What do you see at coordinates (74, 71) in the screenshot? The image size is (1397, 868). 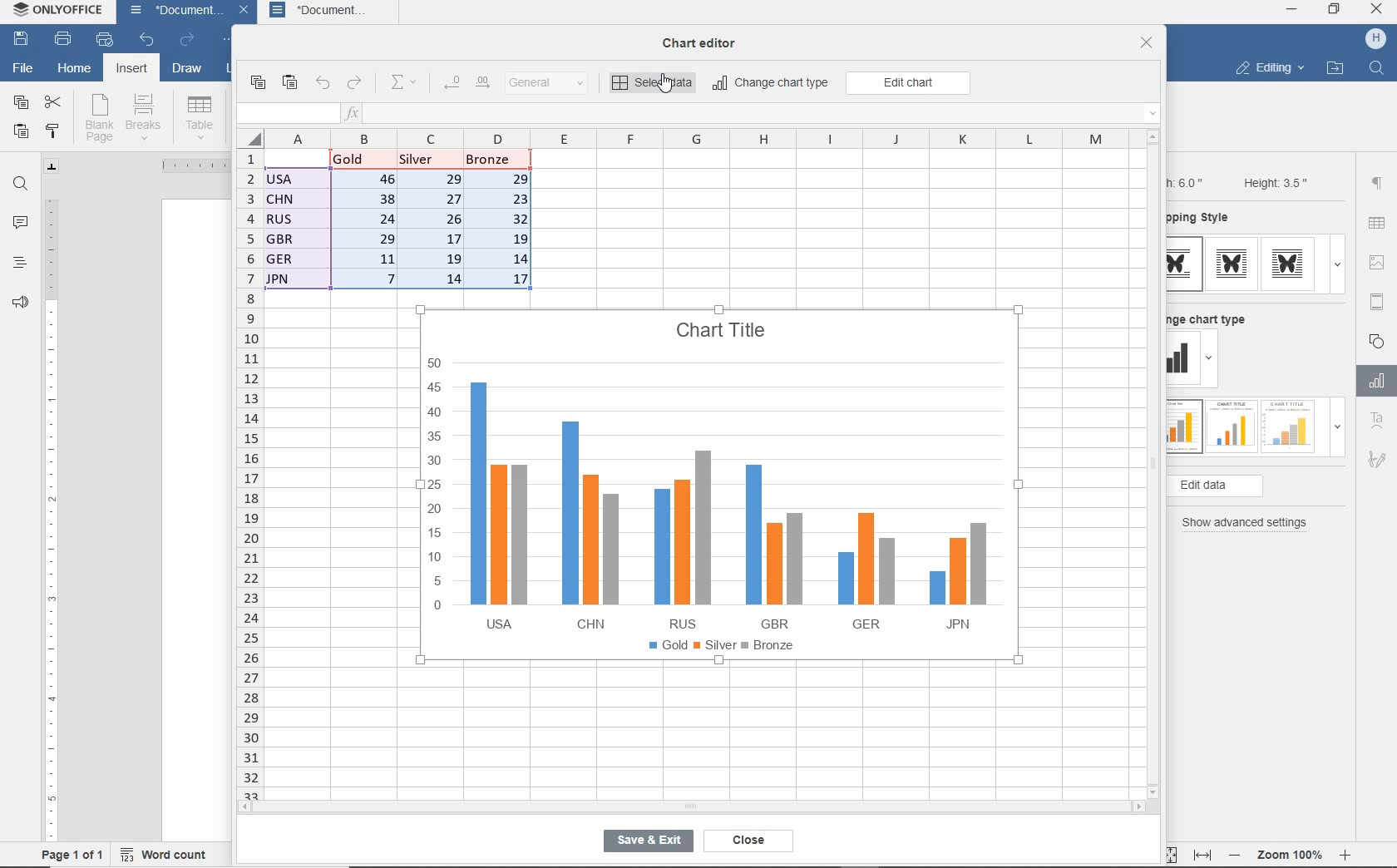 I see `home` at bounding box center [74, 71].